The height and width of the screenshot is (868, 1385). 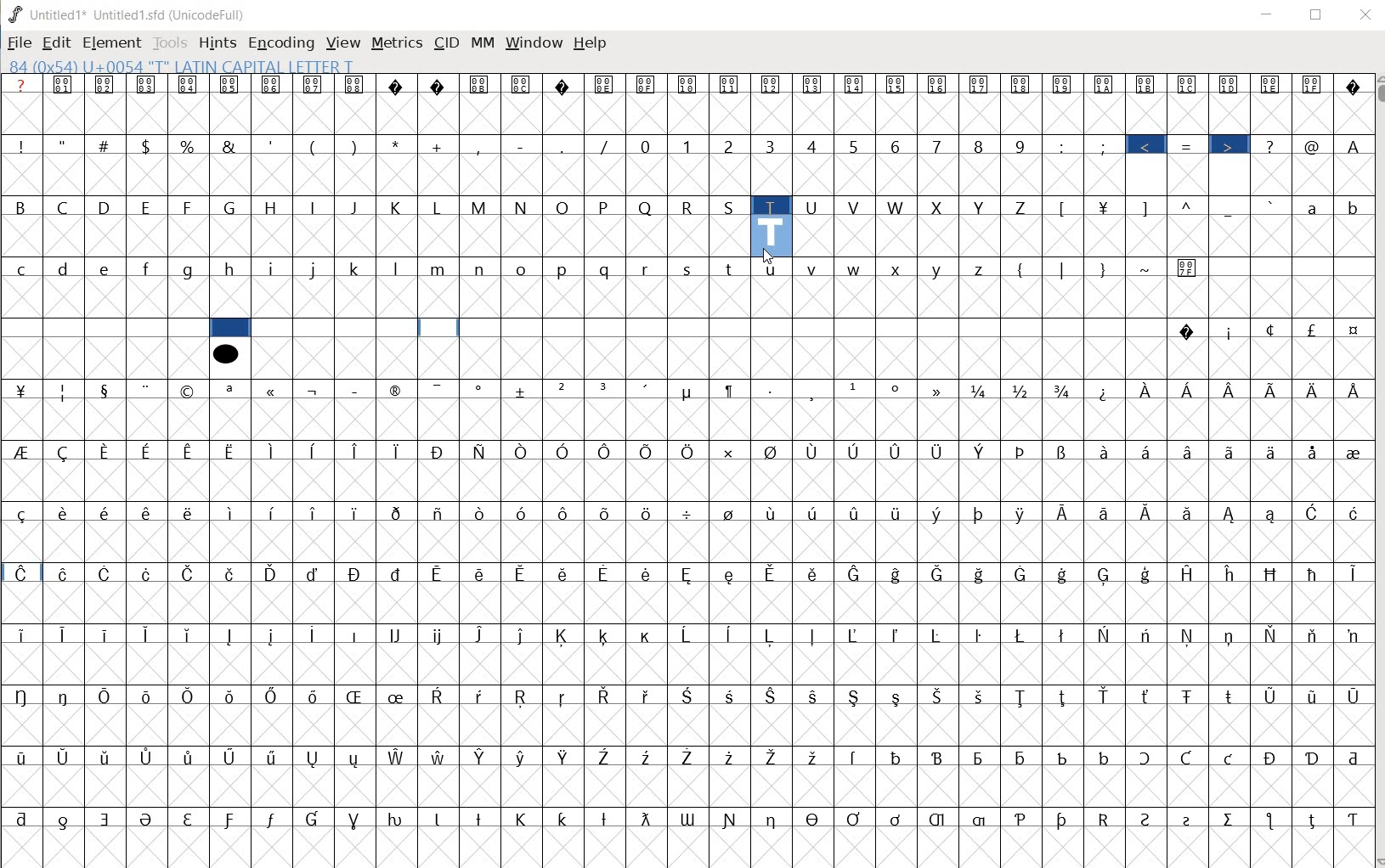 What do you see at coordinates (442, 572) in the screenshot?
I see `Symbol` at bounding box center [442, 572].